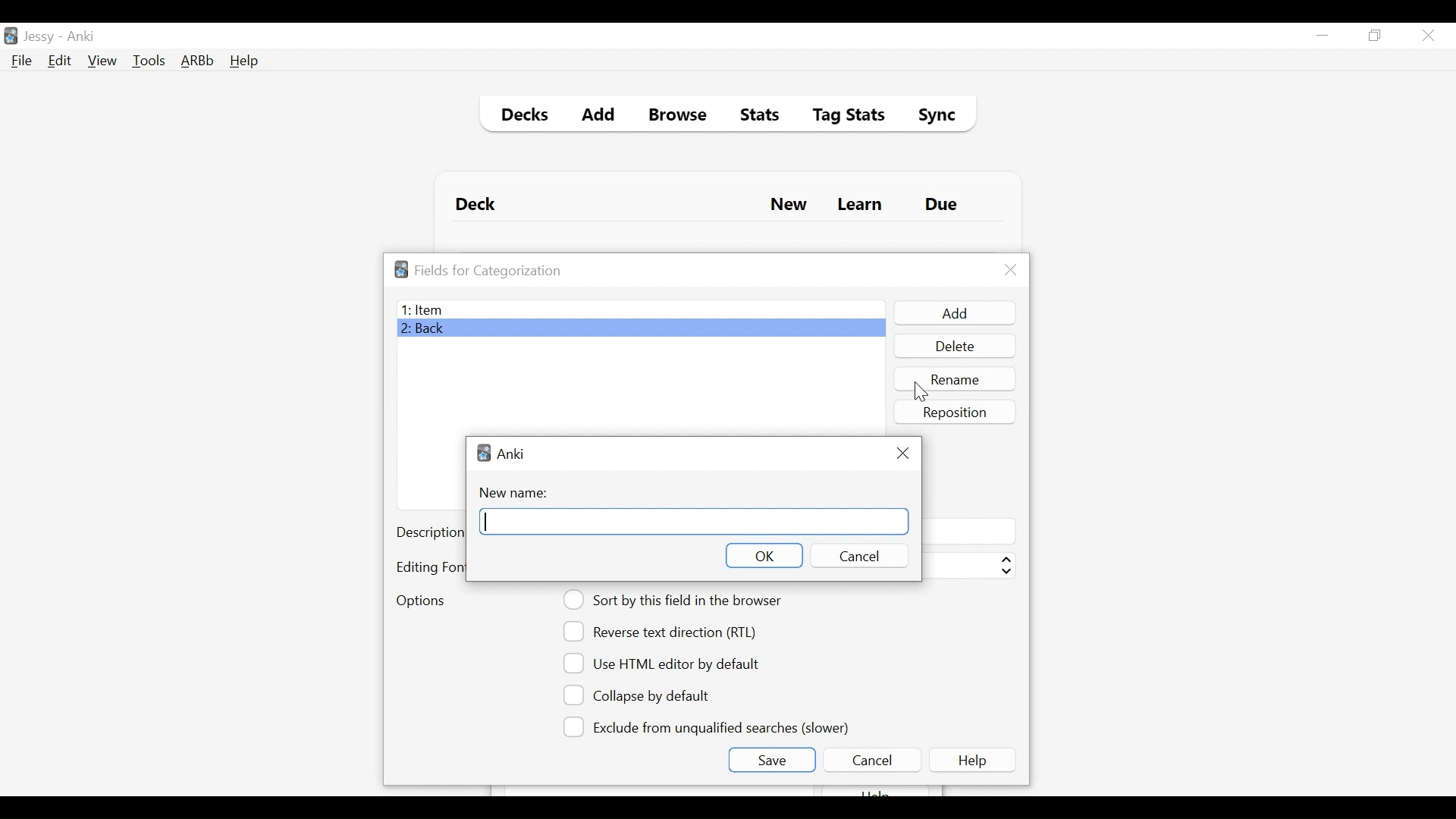 The width and height of the screenshot is (1456, 819). I want to click on Help, so click(243, 62).